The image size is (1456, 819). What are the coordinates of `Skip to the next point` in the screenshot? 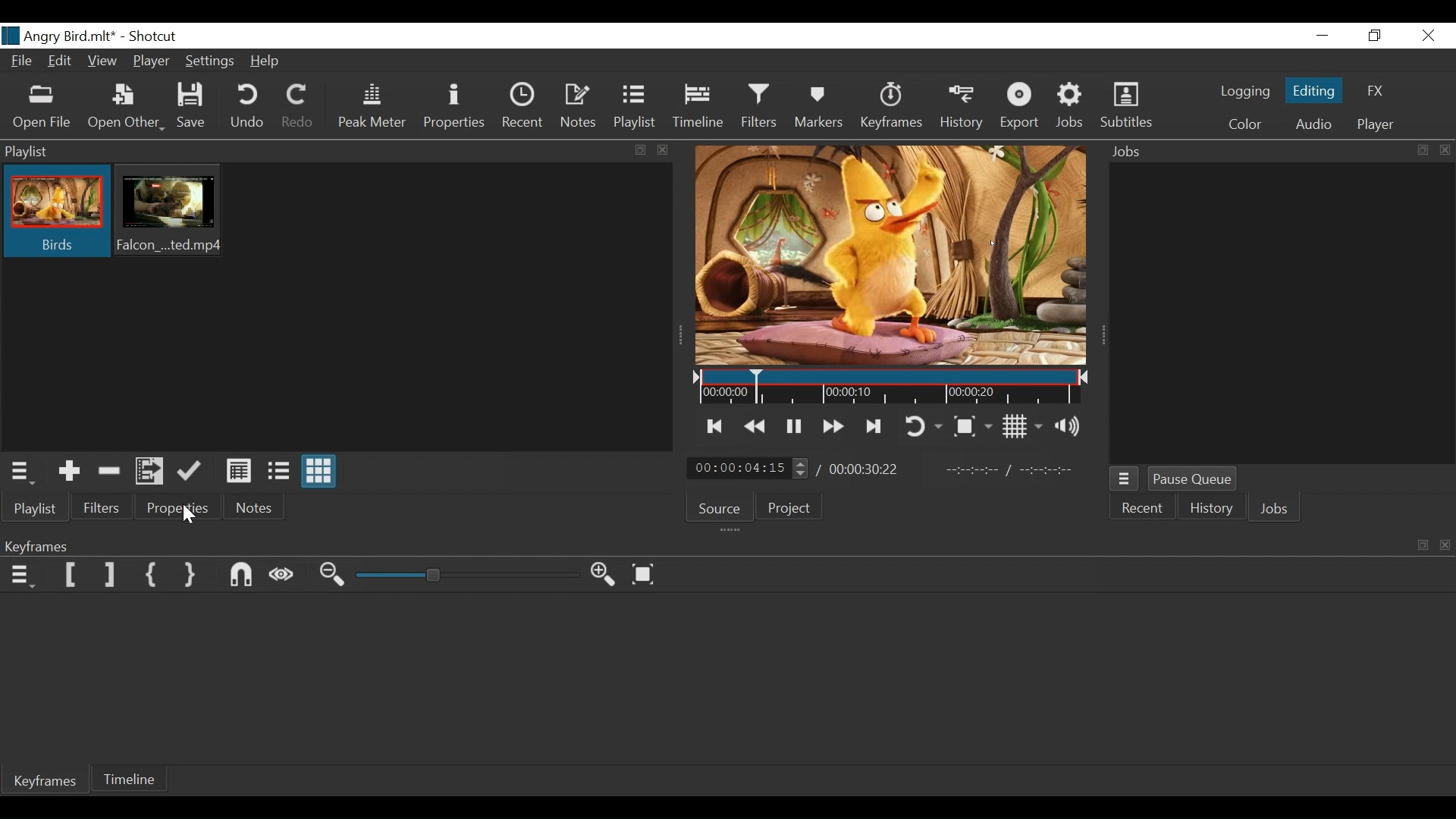 It's located at (876, 426).